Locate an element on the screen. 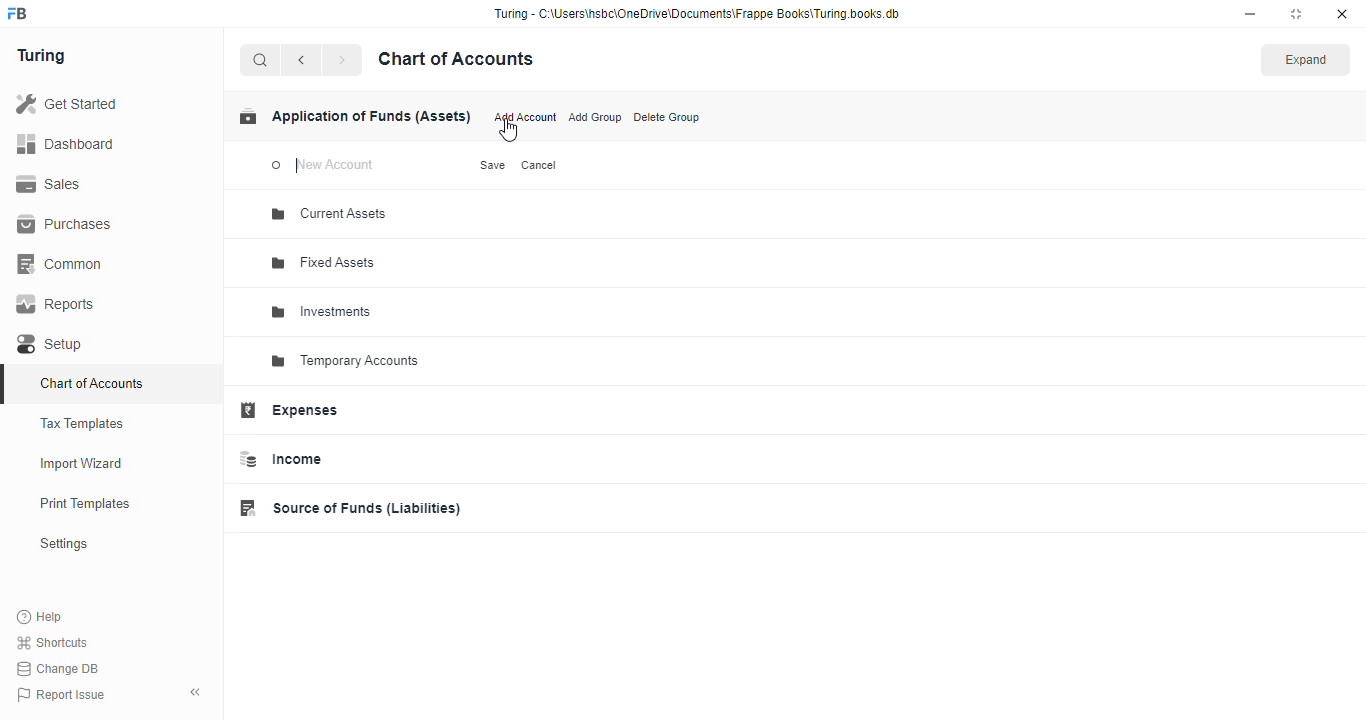 This screenshot has height=720, width=1366. add account is located at coordinates (526, 116).